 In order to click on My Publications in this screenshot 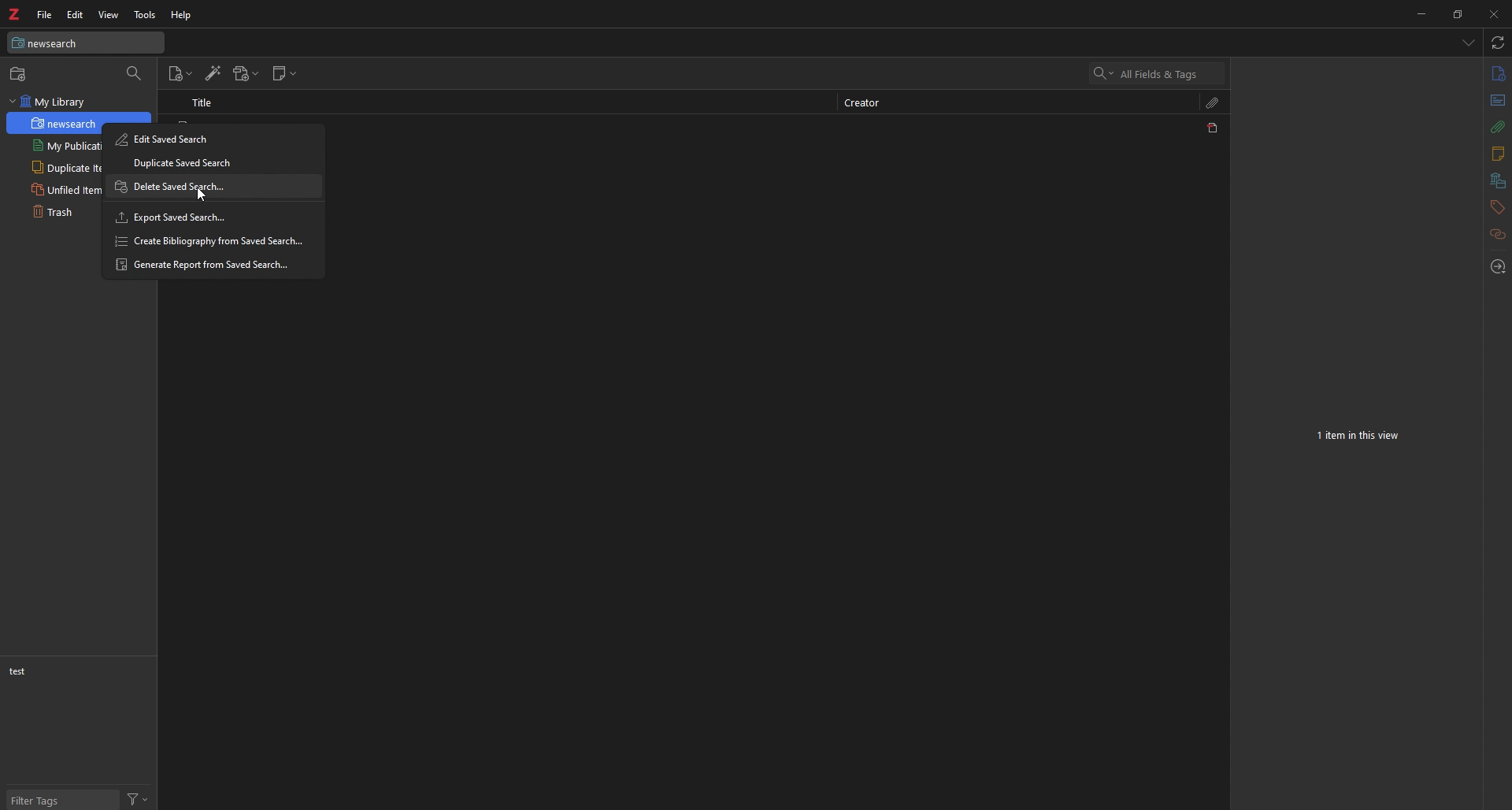, I will do `click(64, 145)`.